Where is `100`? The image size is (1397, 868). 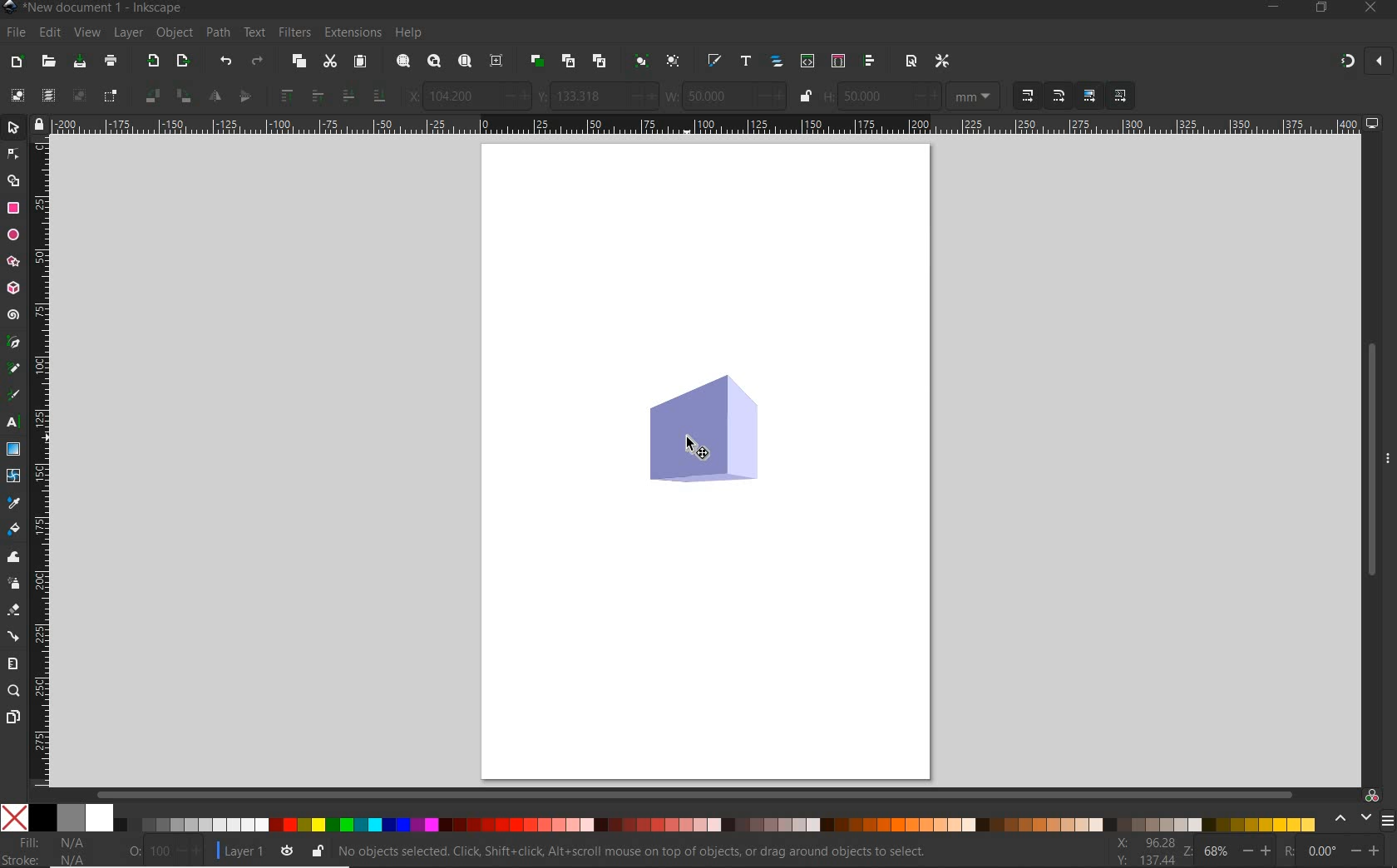 100 is located at coordinates (159, 851).